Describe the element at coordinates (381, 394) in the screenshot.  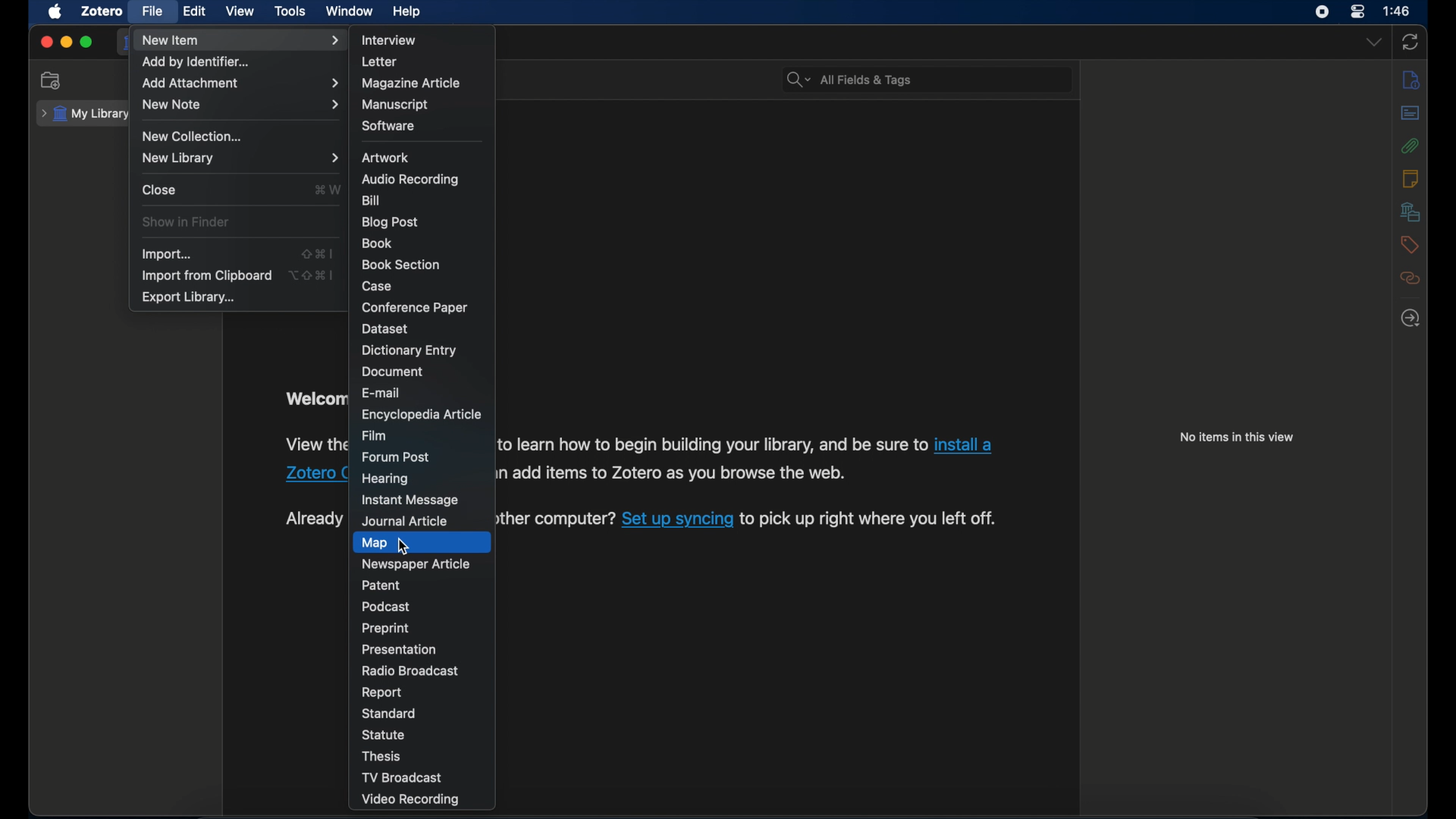
I see `e-mail` at that location.